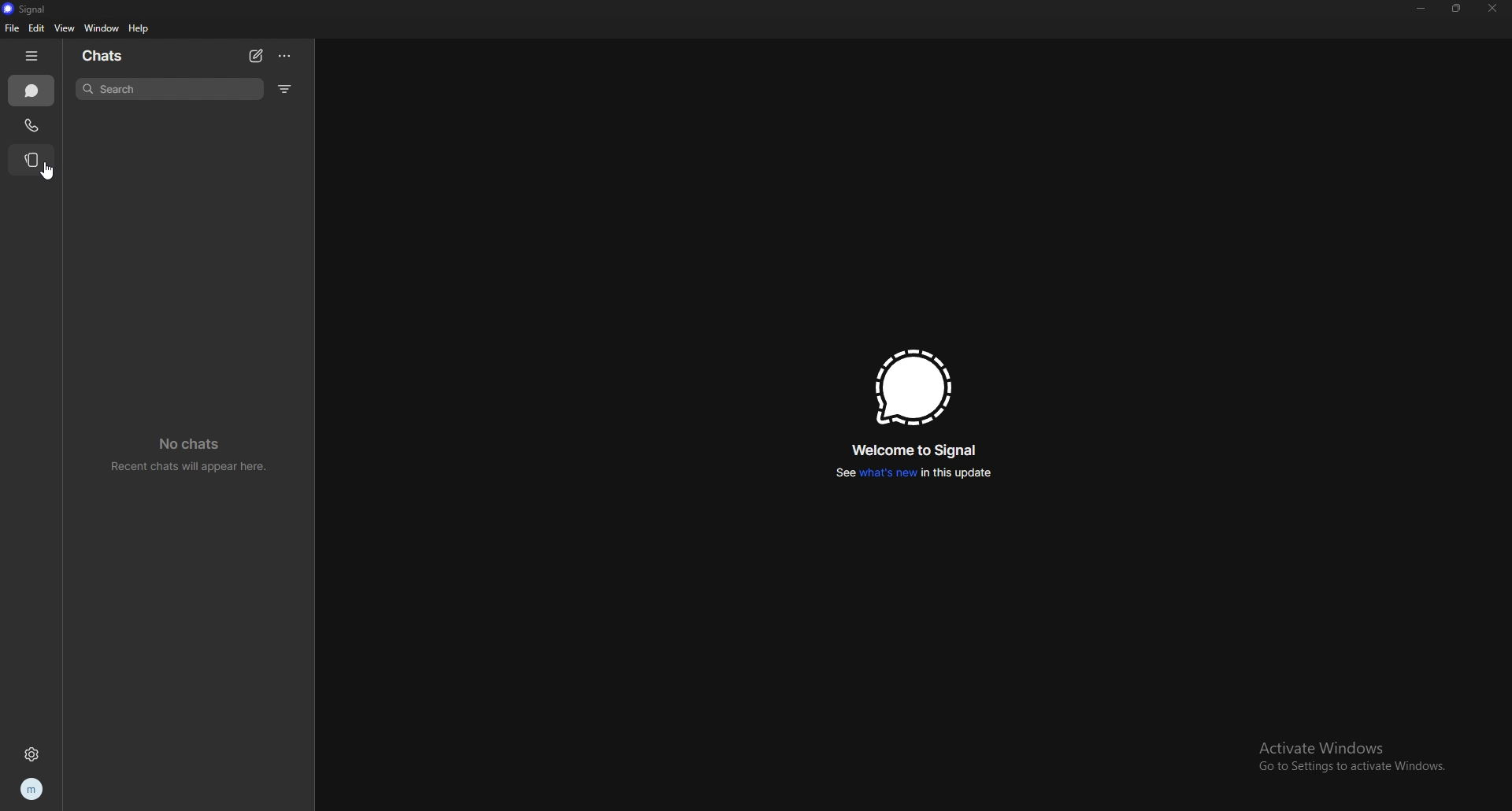  Describe the element at coordinates (100, 28) in the screenshot. I see `window` at that location.